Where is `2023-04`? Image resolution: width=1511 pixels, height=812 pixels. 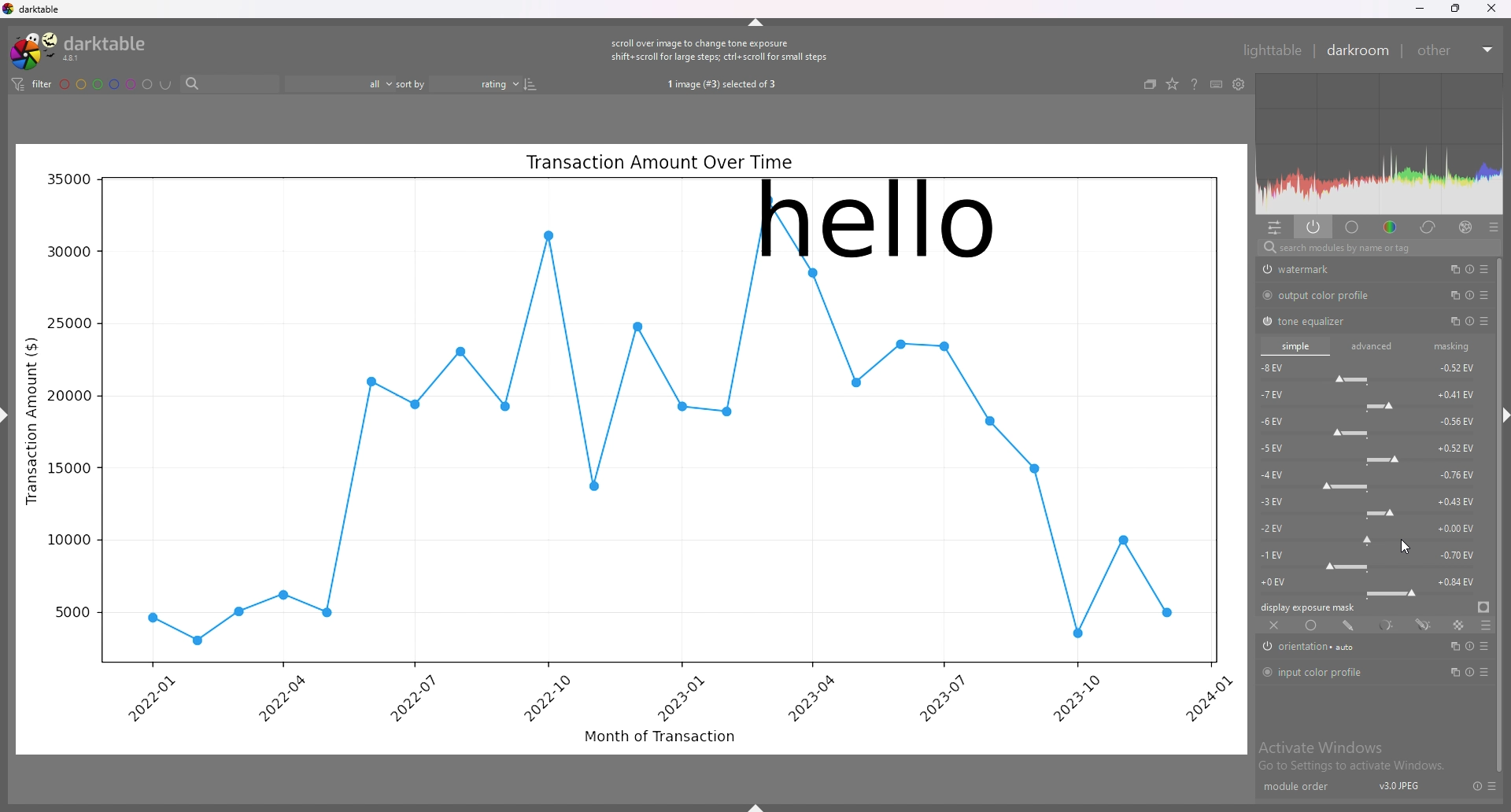
2023-04 is located at coordinates (811, 697).